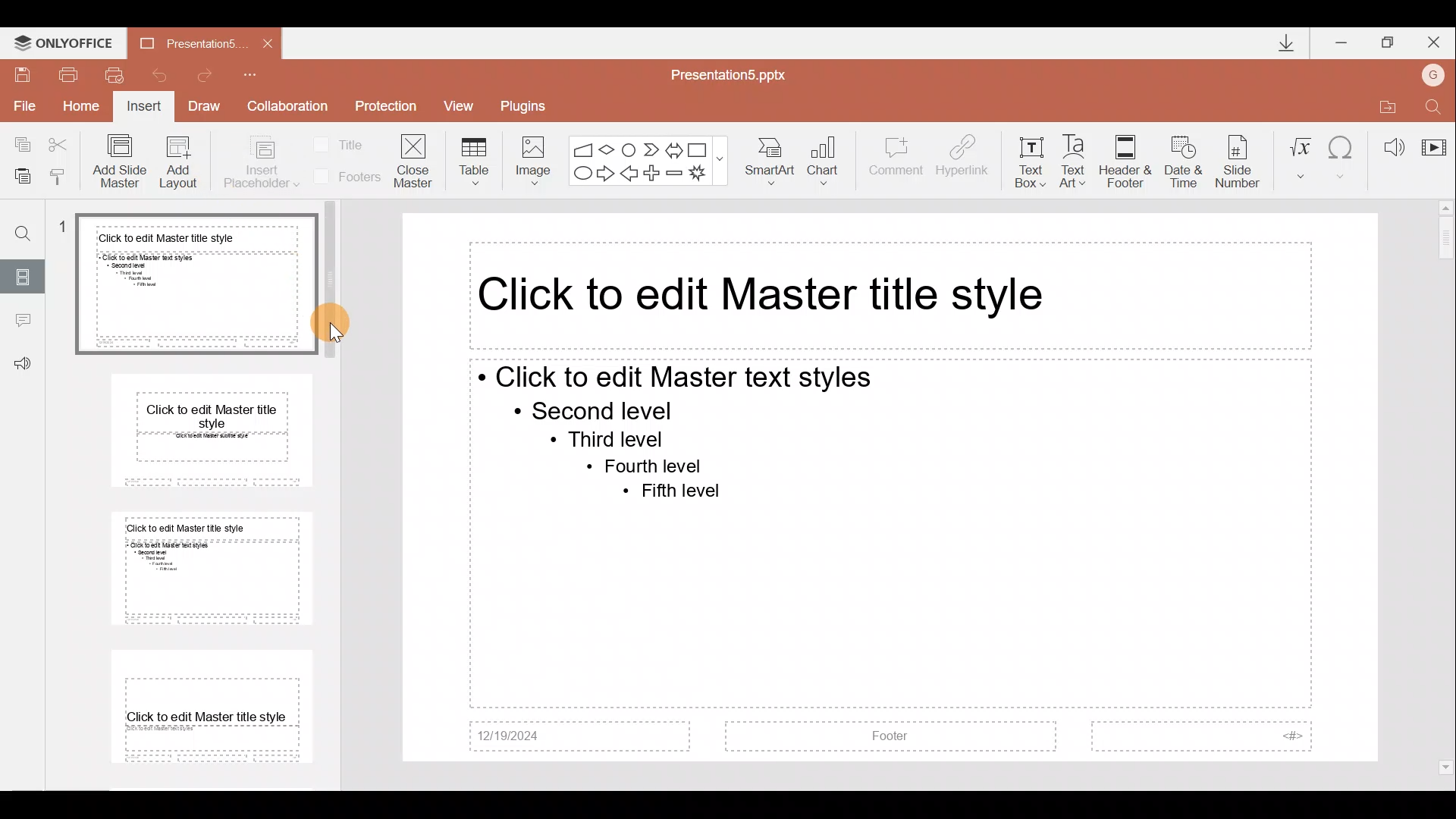 Image resolution: width=1456 pixels, height=819 pixels. Describe the element at coordinates (114, 76) in the screenshot. I see `Quick print` at that location.